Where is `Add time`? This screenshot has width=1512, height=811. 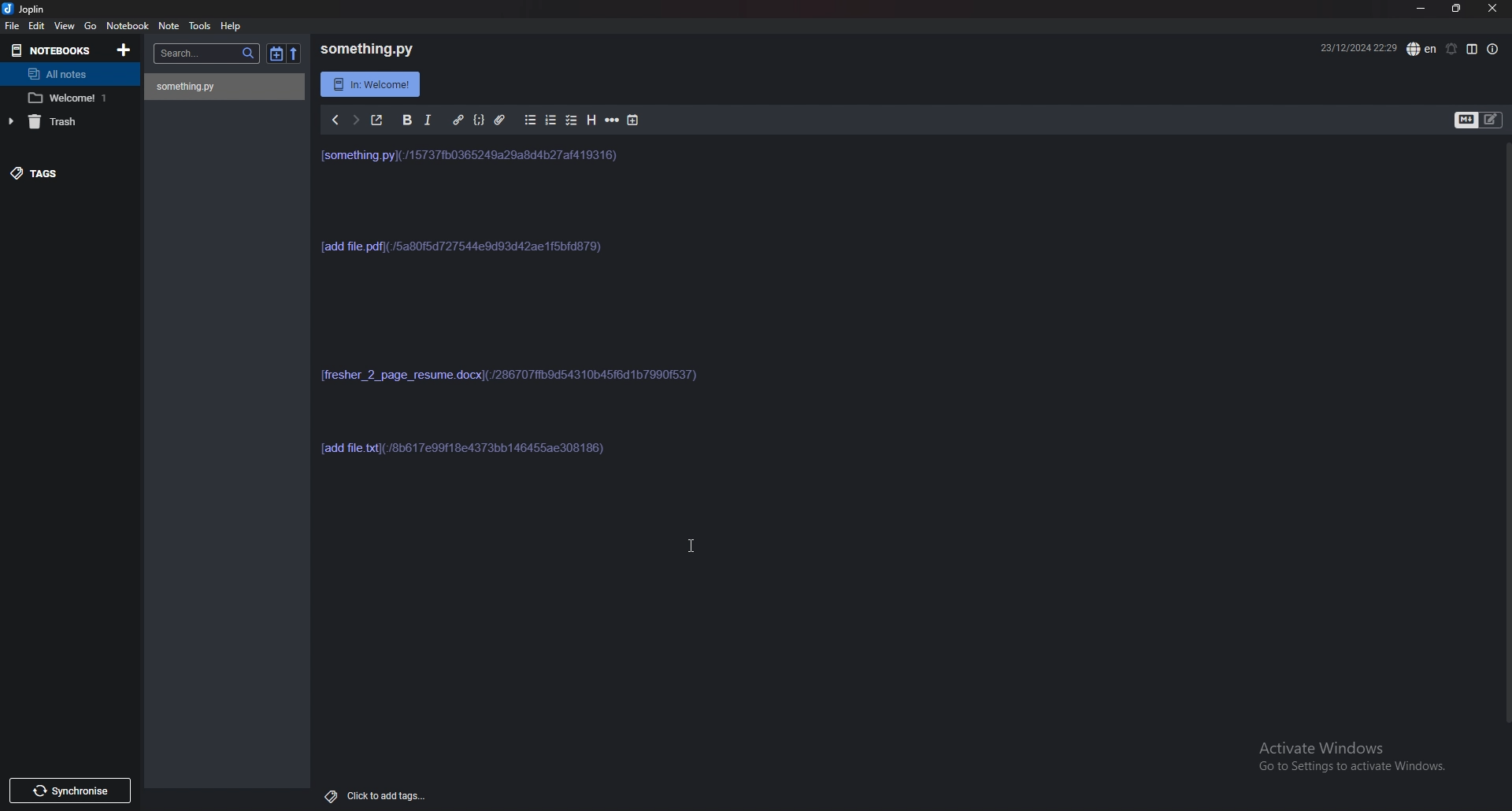 Add time is located at coordinates (632, 122).